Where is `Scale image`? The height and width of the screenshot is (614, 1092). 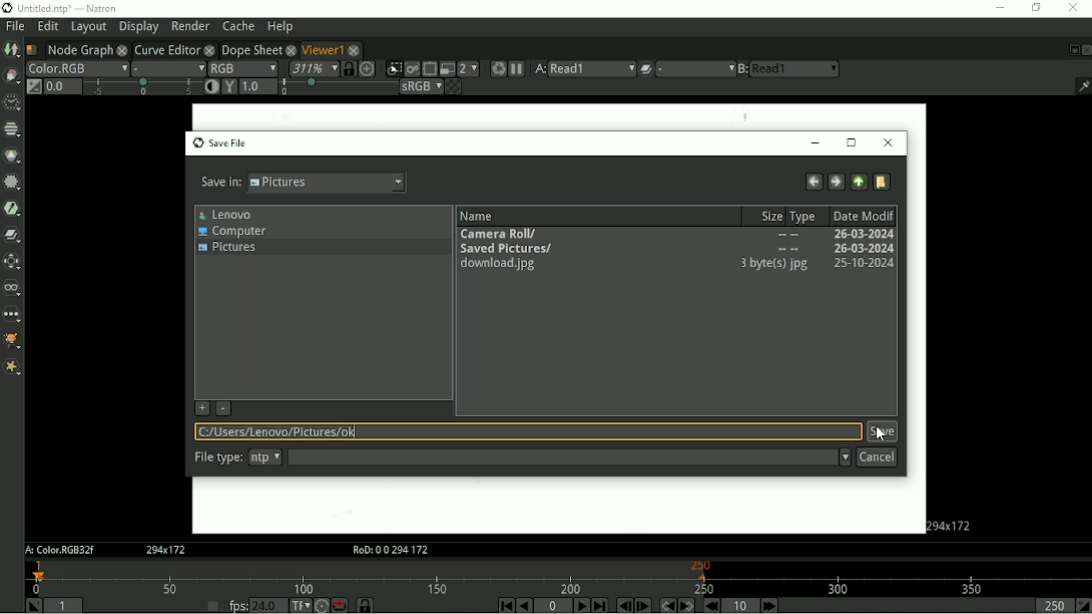 Scale image is located at coordinates (367, 70).